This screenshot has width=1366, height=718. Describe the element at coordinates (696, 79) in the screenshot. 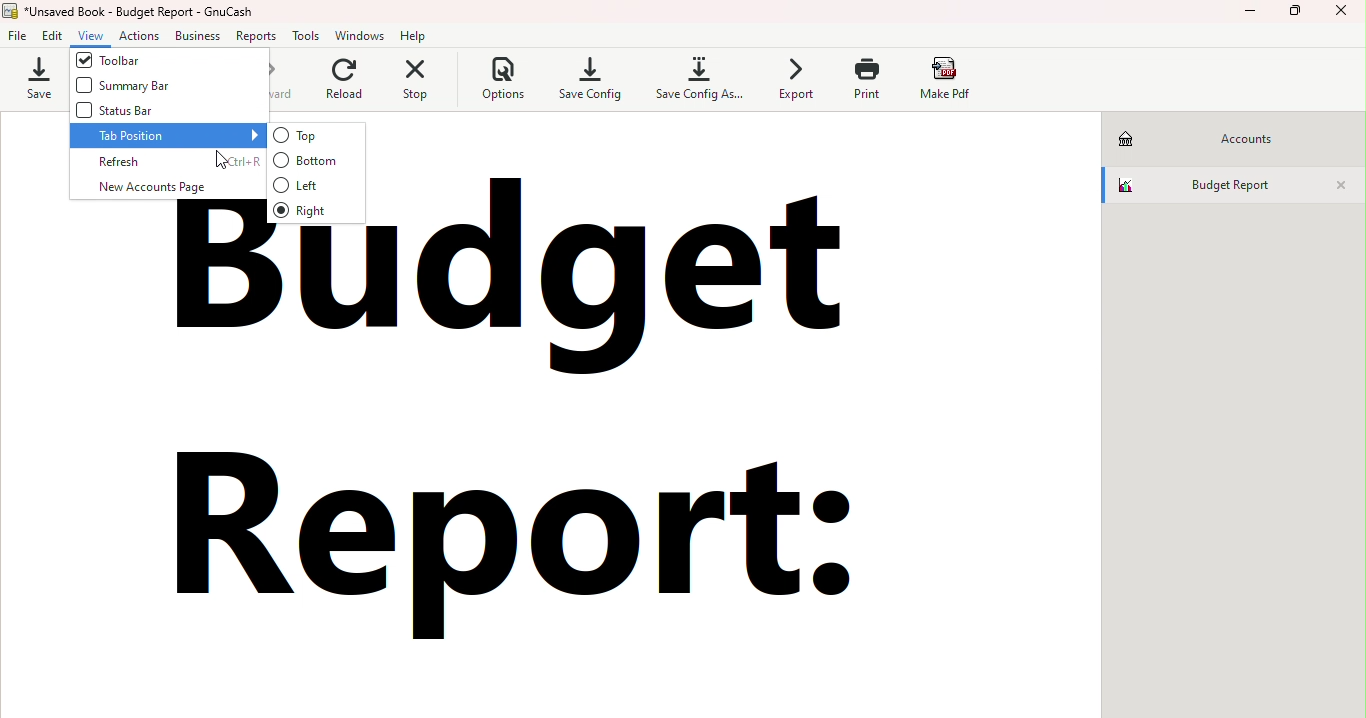

I see `Save config as` at that location.